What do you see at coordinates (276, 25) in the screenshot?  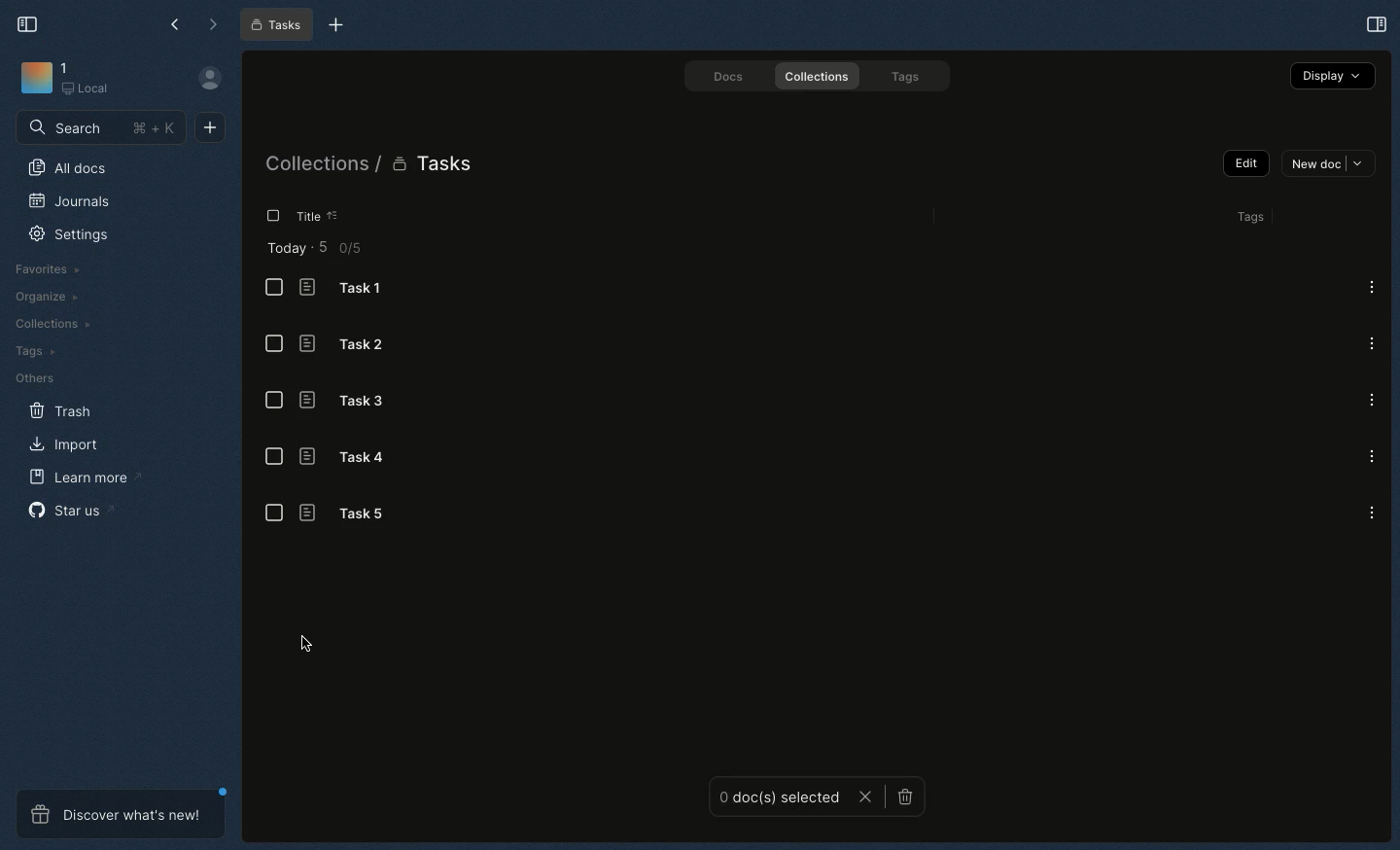 I see `Tasks` at bounding box center [276, 25].